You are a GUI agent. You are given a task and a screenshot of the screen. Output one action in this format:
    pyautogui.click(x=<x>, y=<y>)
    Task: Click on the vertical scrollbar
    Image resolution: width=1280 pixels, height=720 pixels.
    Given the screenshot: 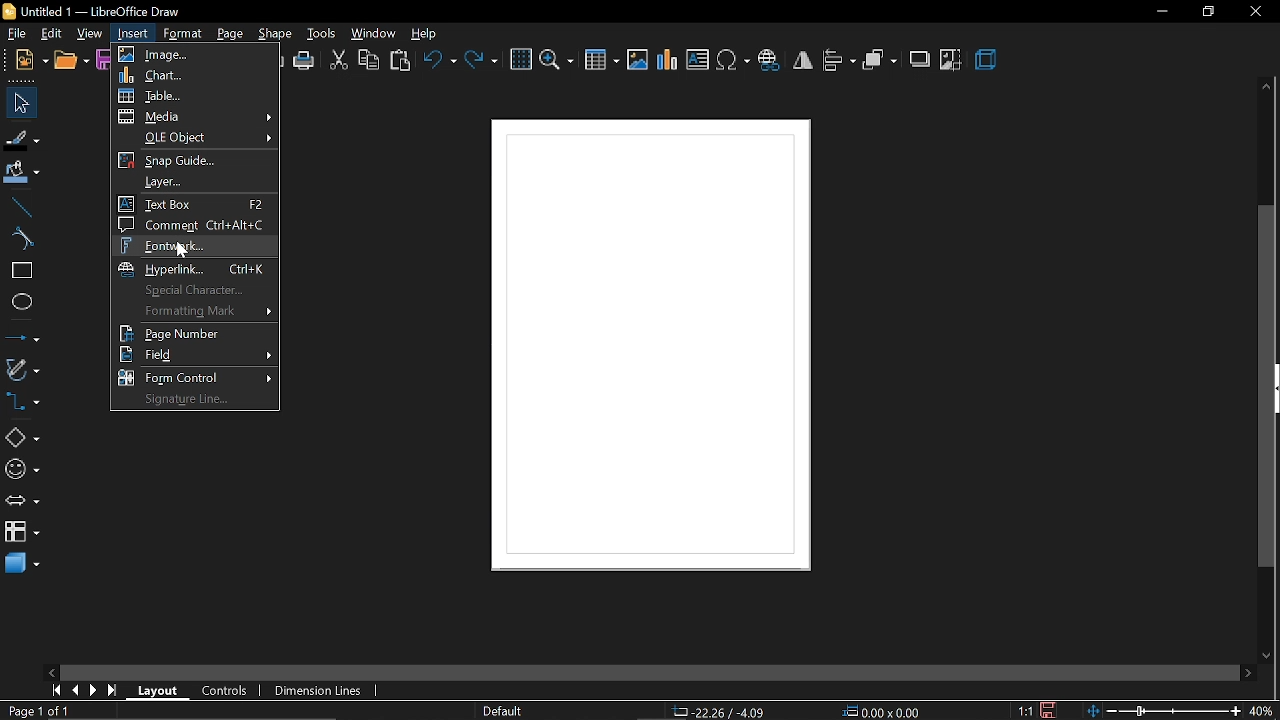 What is the action you would take?
    pyautogui.click(x=1268, y=388)
    